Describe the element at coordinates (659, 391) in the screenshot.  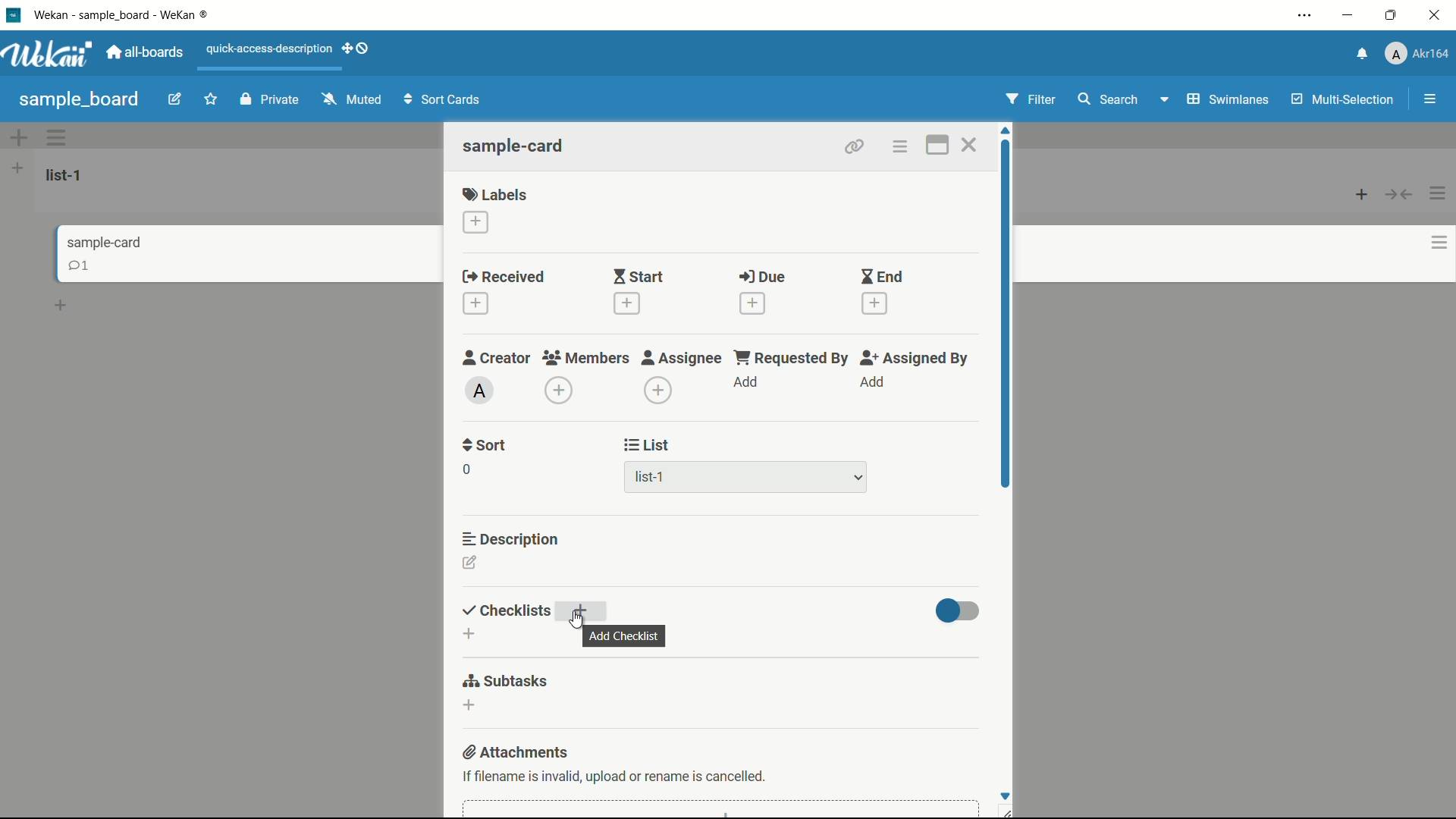
I see `add assignee` at that location.